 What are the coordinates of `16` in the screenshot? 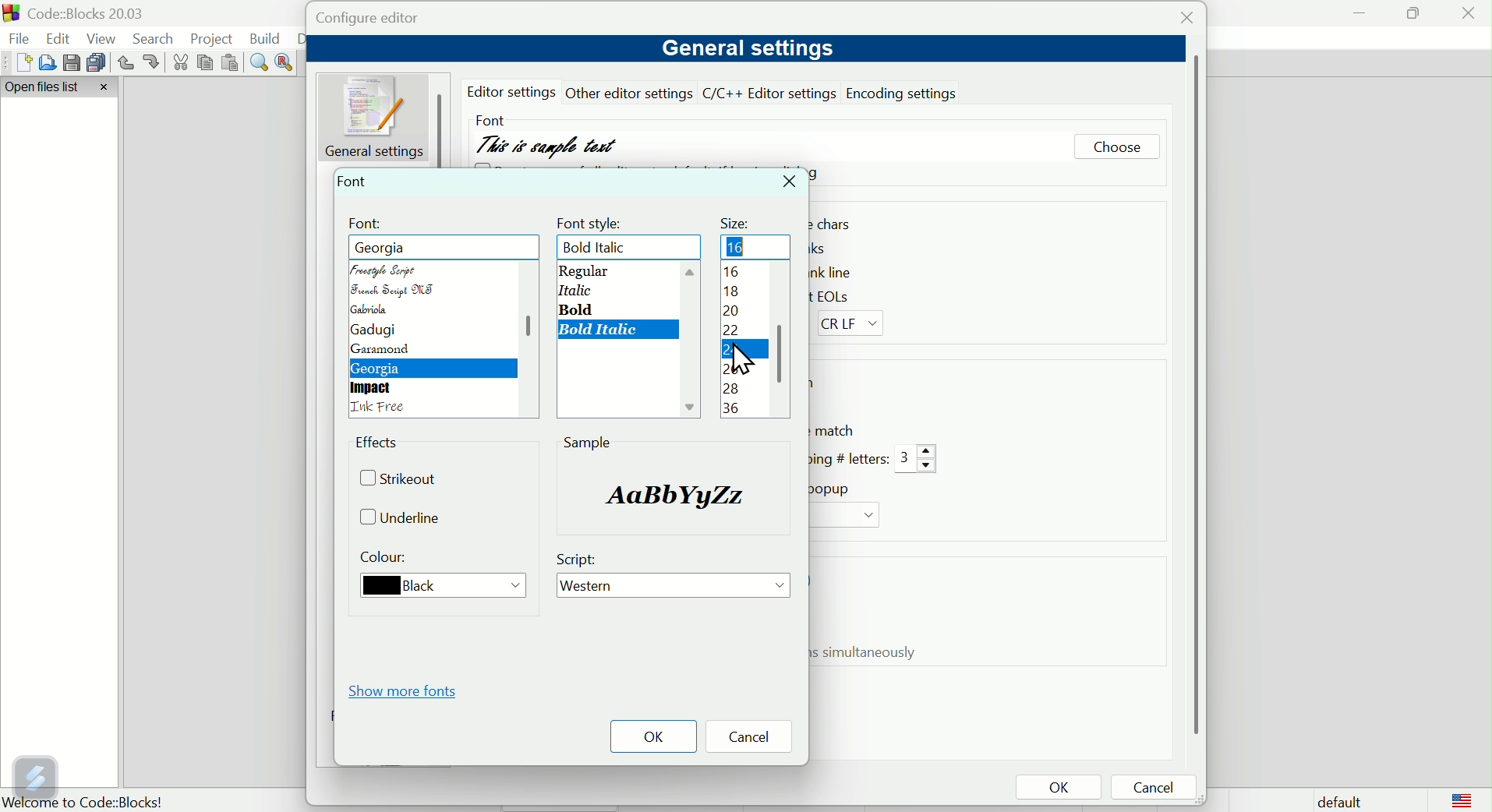 It's located at (741, 246).